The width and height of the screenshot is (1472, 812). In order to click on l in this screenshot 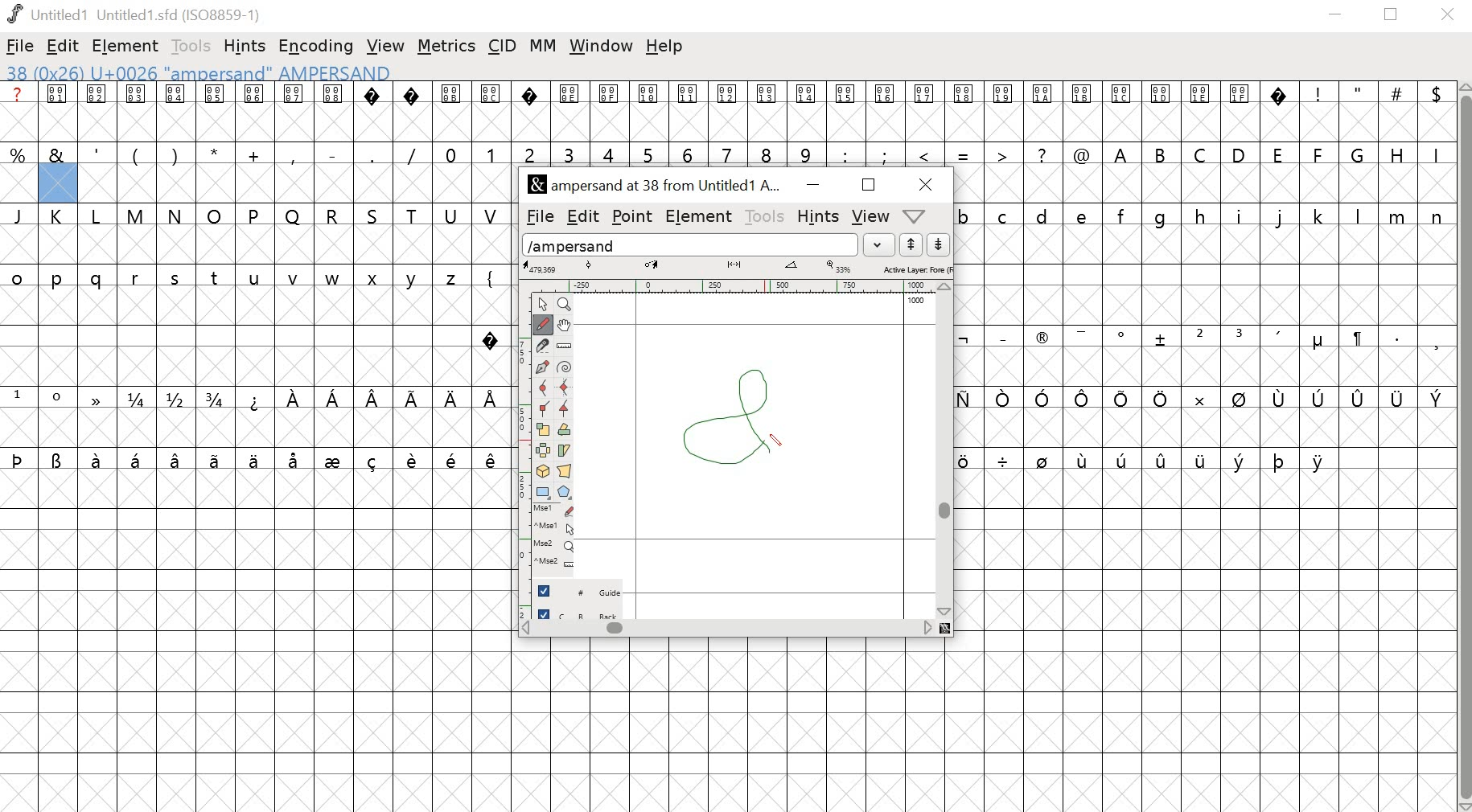, I will do `click(1359, 215)`.